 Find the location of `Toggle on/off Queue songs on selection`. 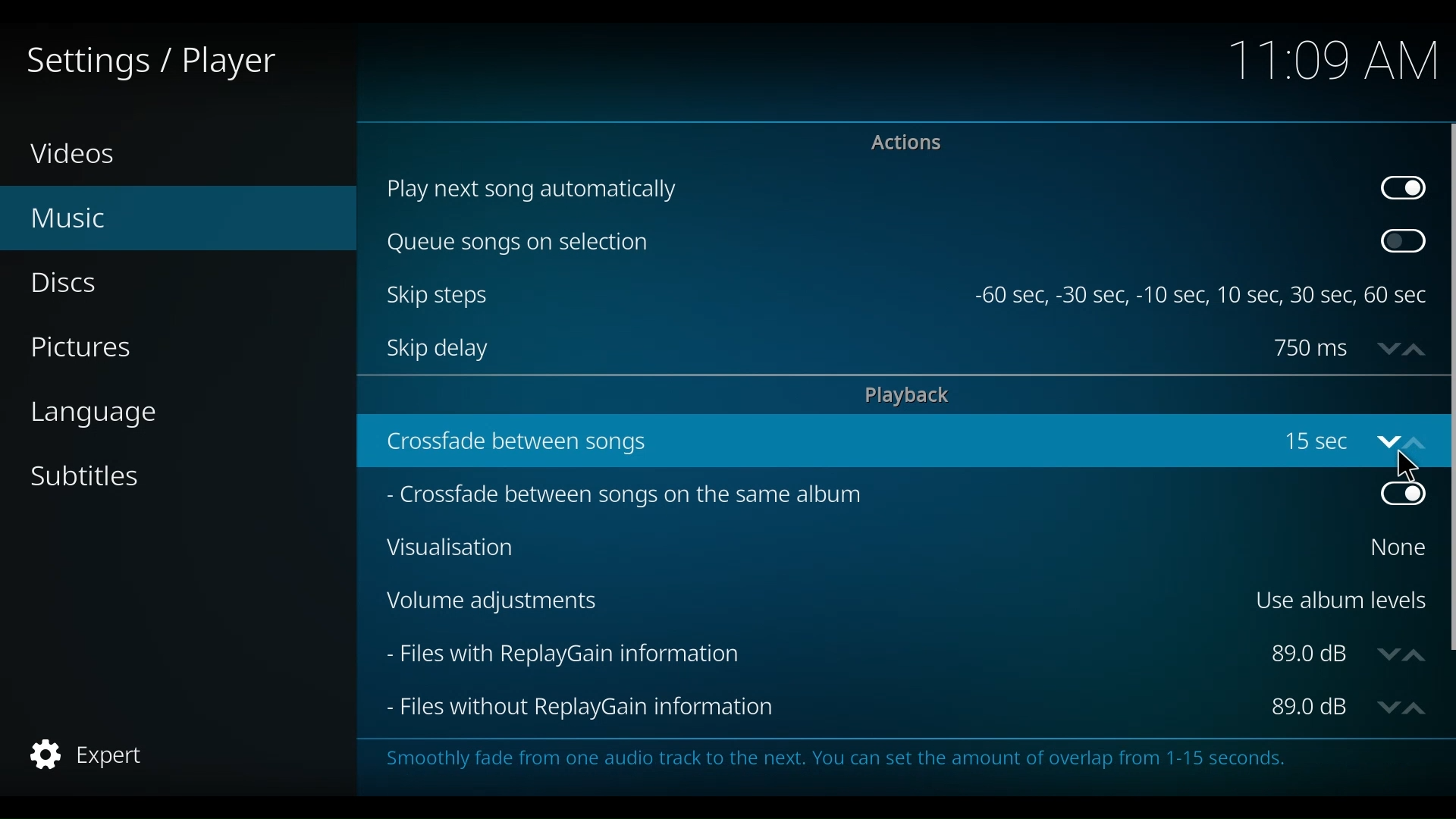

Toggle on/off Queue songs on selection is located at coordinates (1400, 242).